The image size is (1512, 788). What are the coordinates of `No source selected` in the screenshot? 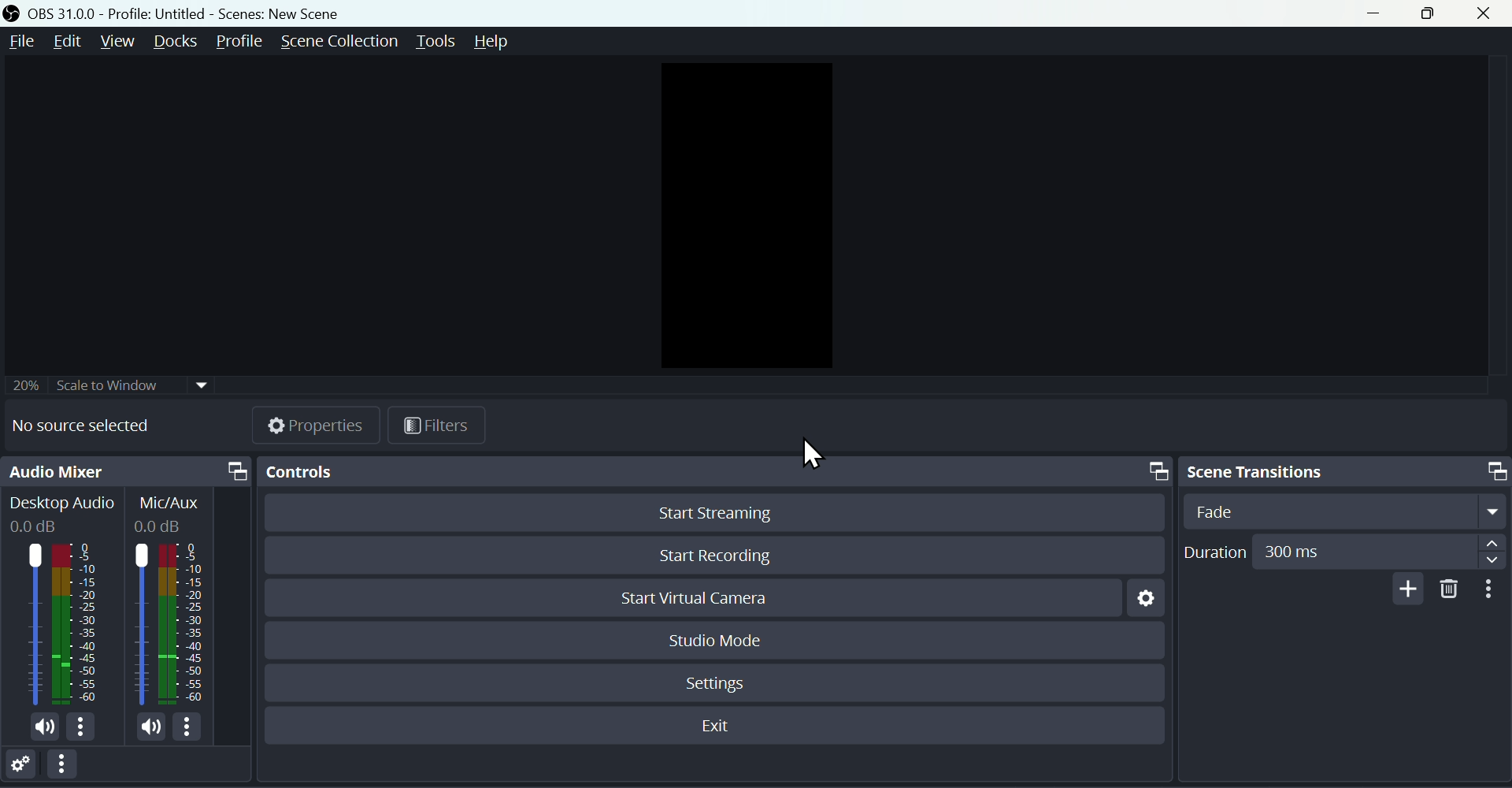 It's located at (94, 426).